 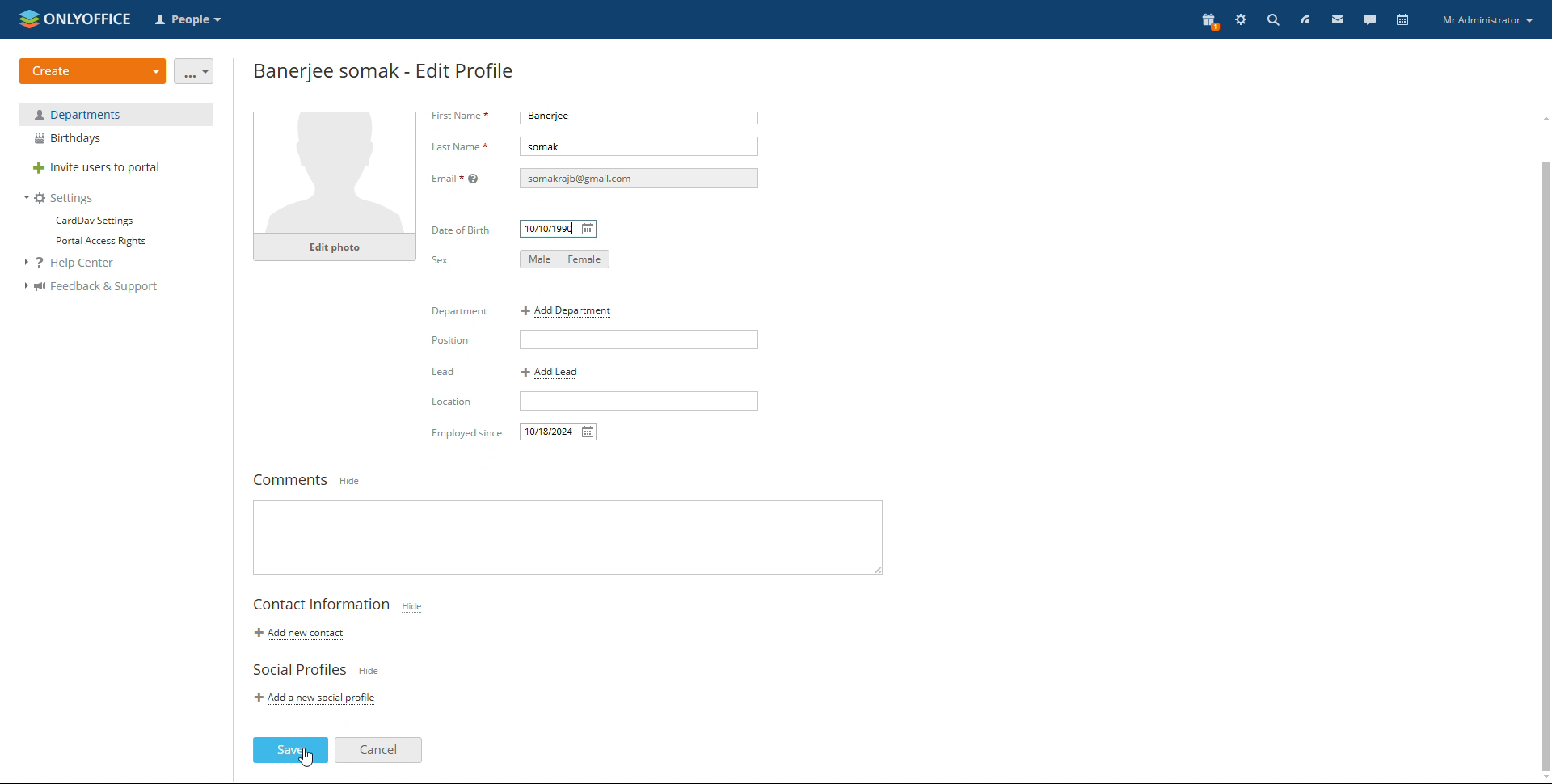 I want to click on save, so click(x=290, y=750).